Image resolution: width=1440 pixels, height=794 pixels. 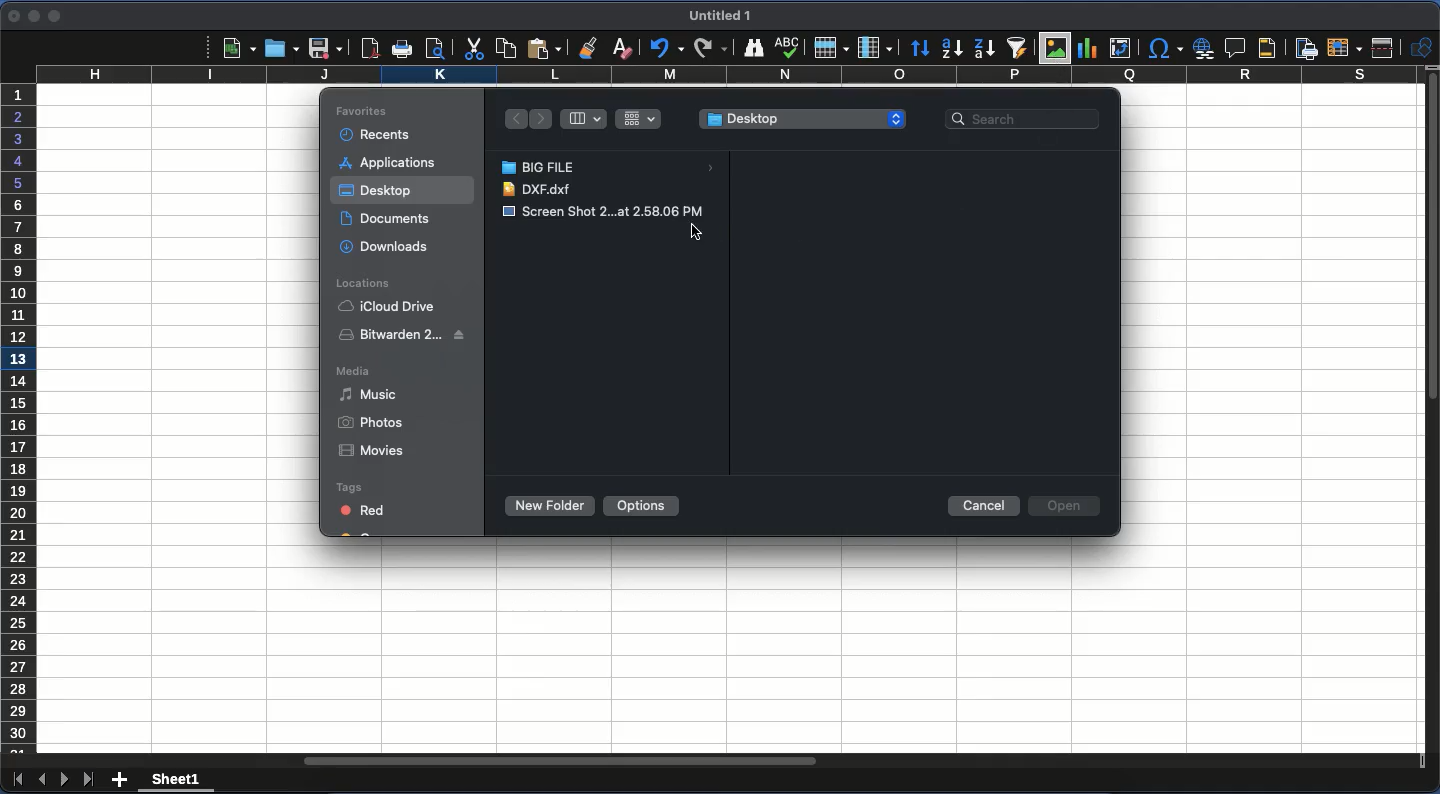 I want to click on maximize, so click(x=52, y=17).